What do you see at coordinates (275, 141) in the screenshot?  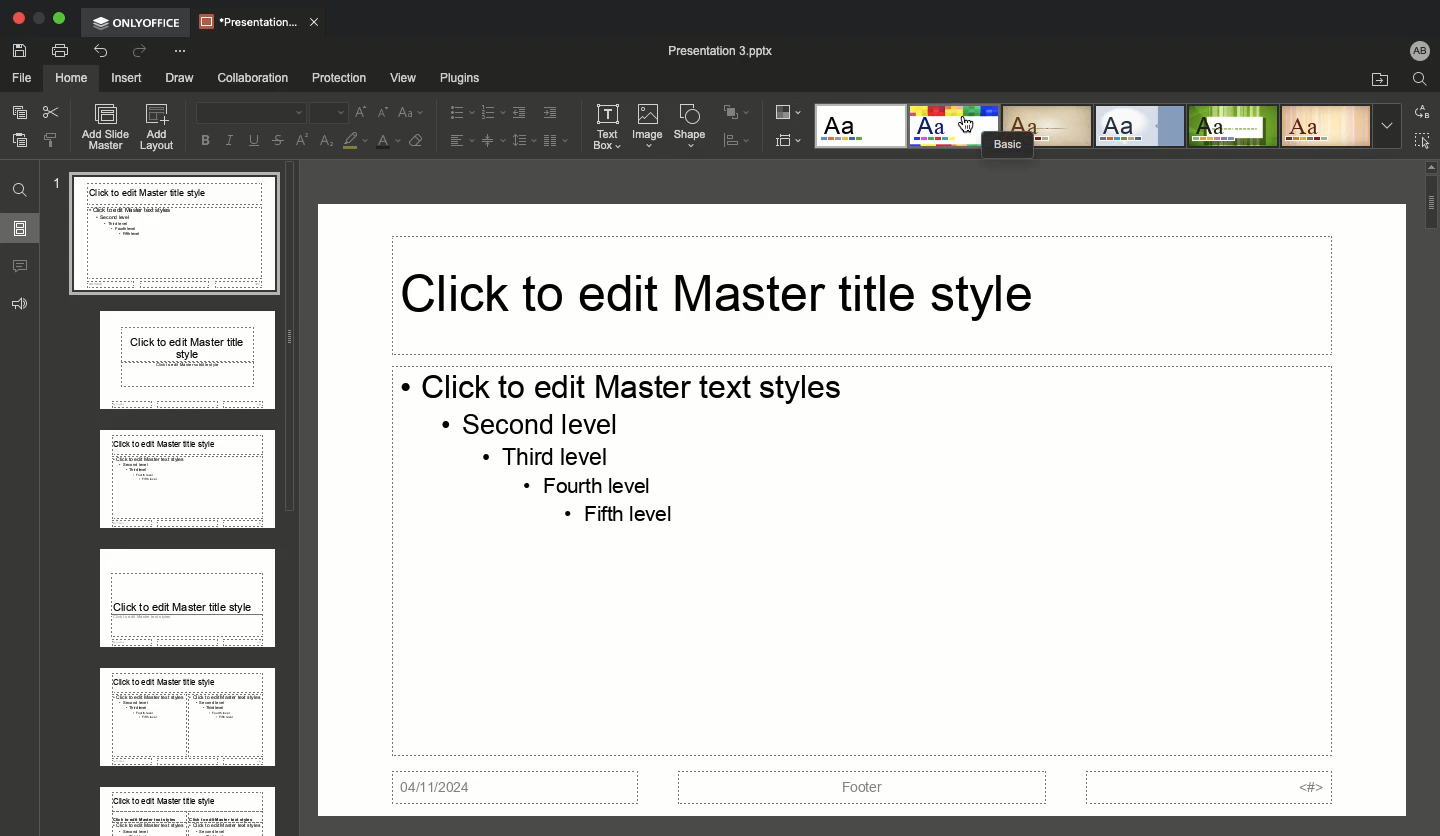 I see `Strikethrough` at bounding box center [275, 141].